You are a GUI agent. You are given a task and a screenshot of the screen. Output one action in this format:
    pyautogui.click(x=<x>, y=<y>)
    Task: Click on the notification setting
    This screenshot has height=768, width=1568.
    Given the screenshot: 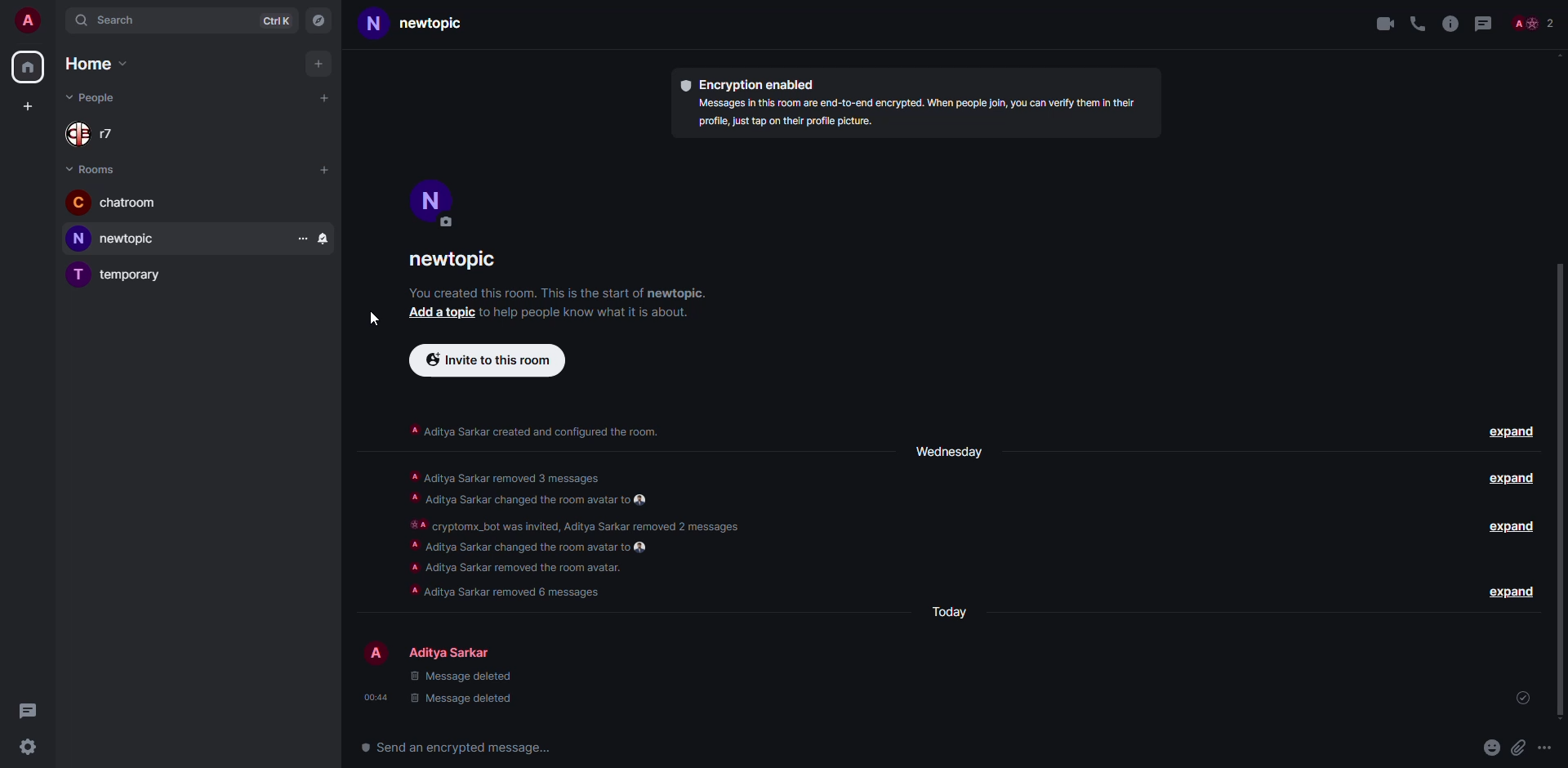 What is the action you would take?
    pyautogui.click(x=323, y=235)
    